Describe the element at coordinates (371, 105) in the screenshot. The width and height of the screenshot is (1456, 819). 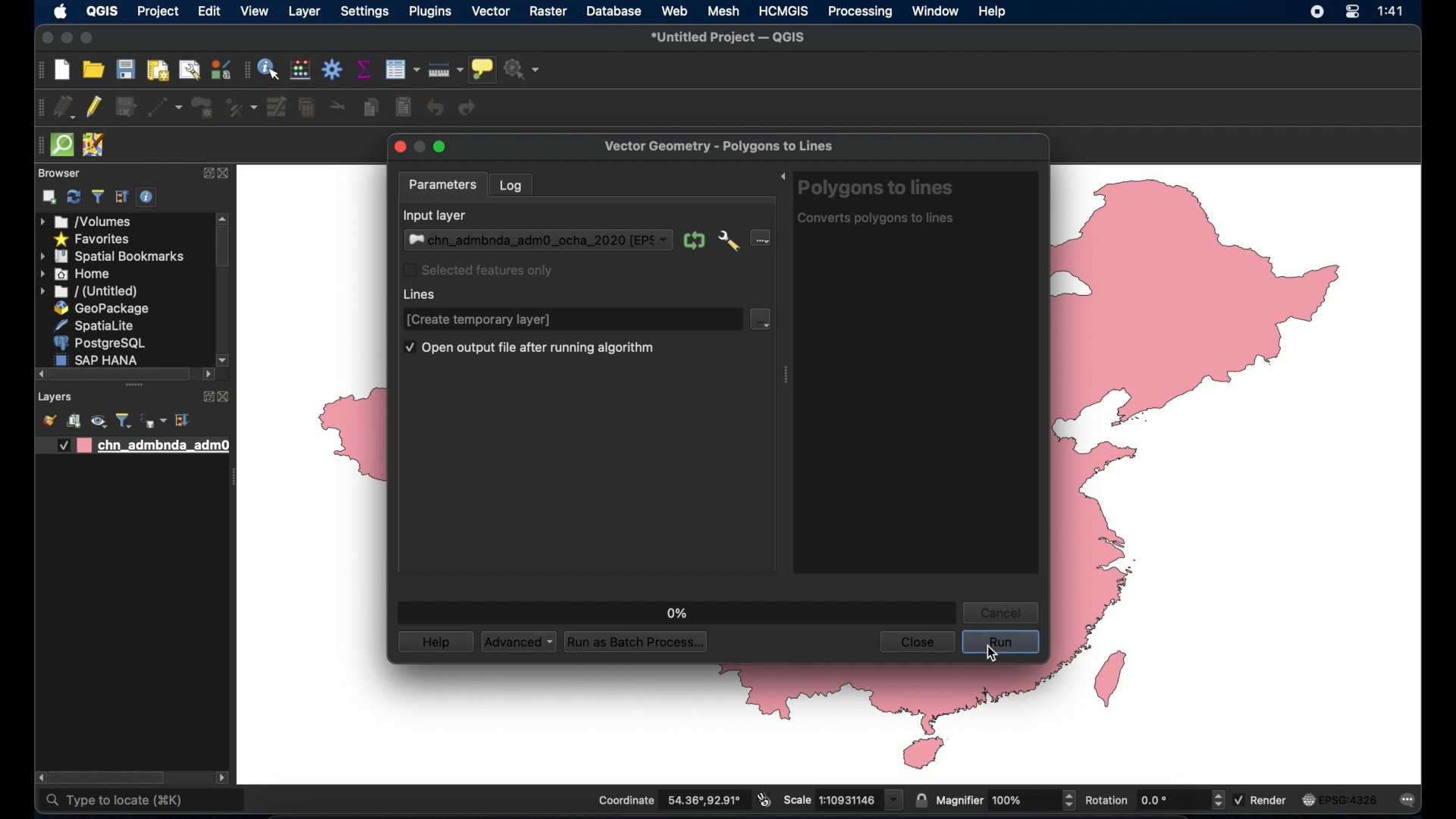
I see `copy features` at that location.